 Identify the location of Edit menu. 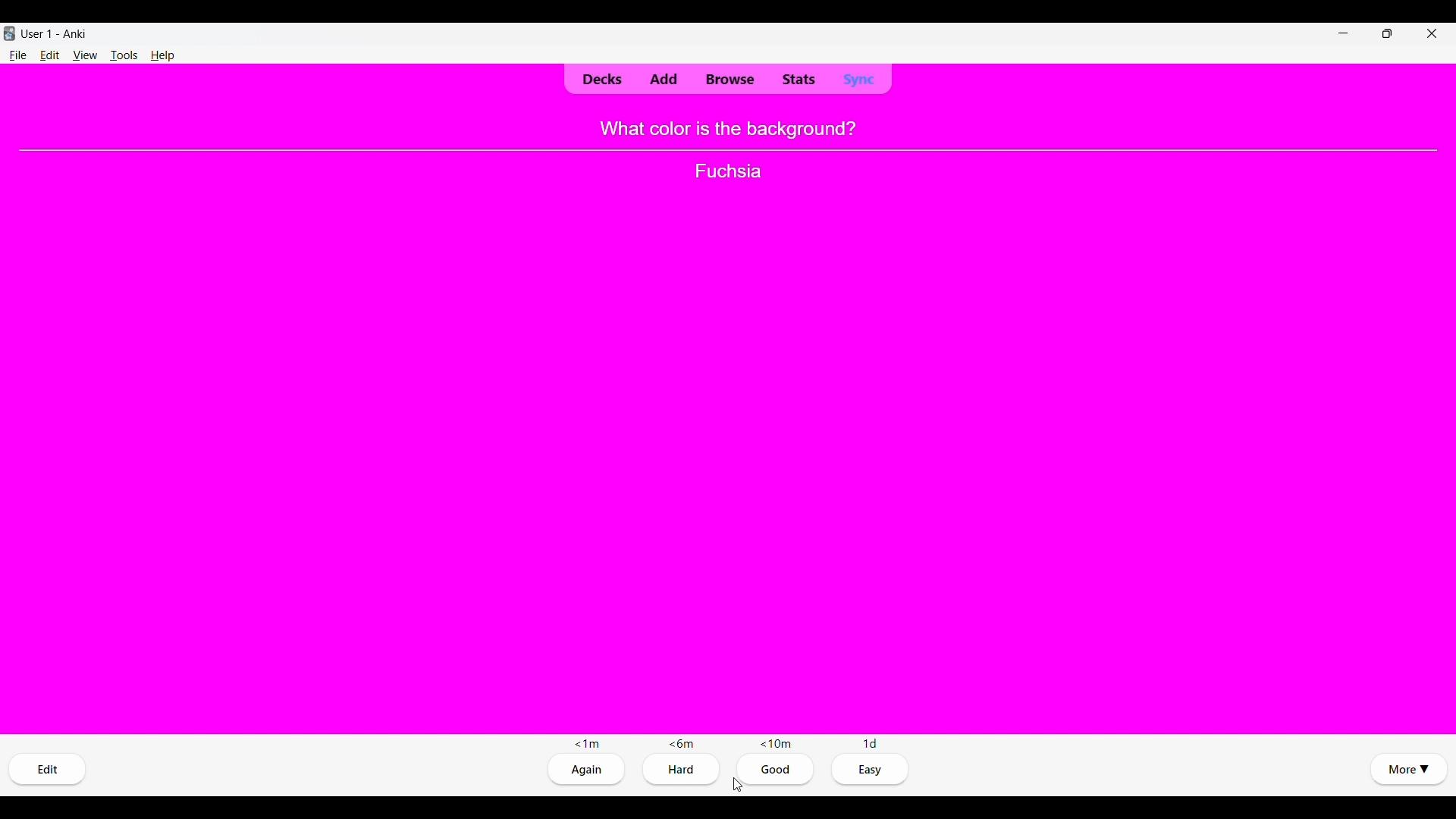
(50, 55).